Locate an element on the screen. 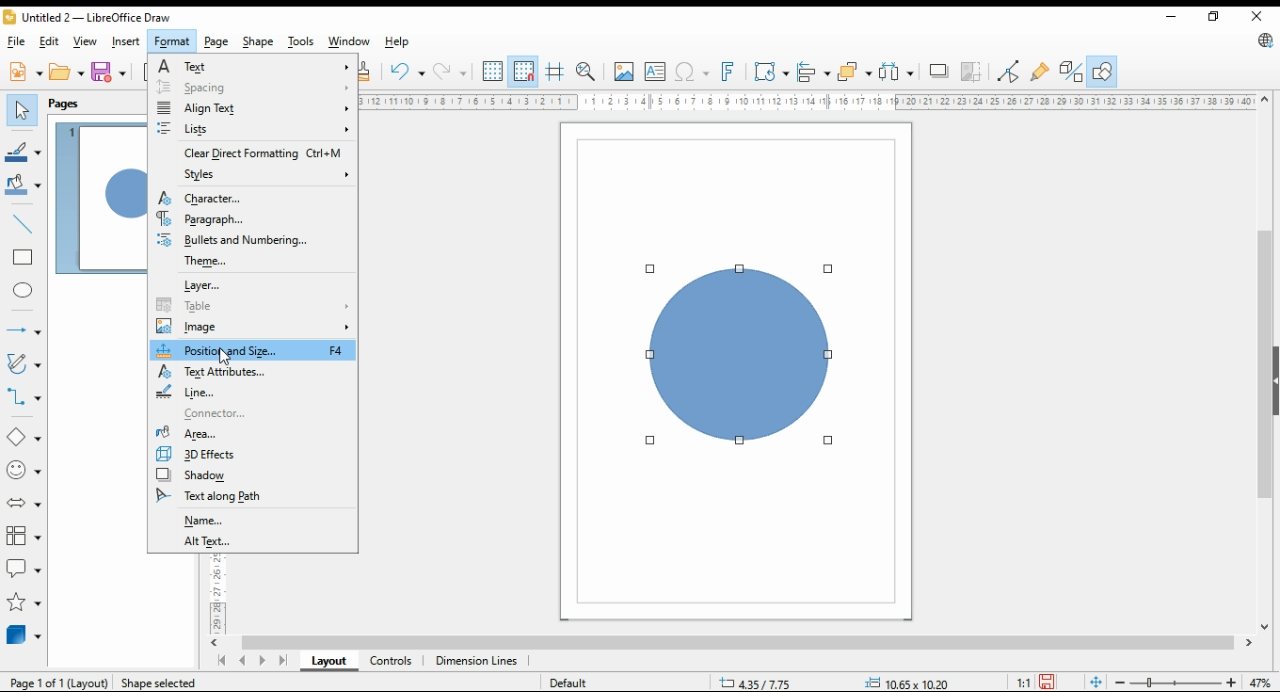 This screenshot has width=1280, height=692. shadow is located at coordinates (230, 474).